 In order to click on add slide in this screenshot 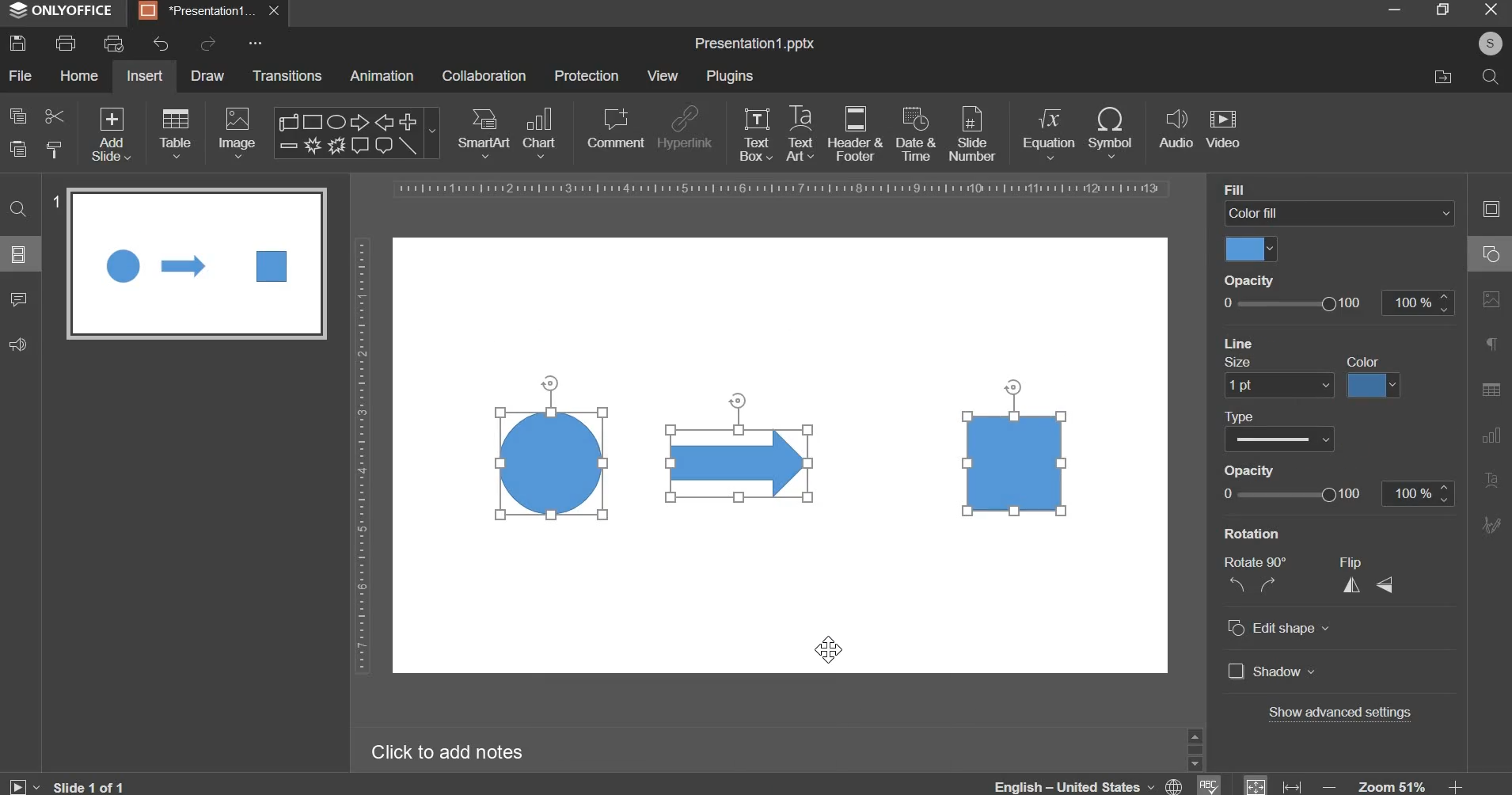, I will do `click(112, 135)`.